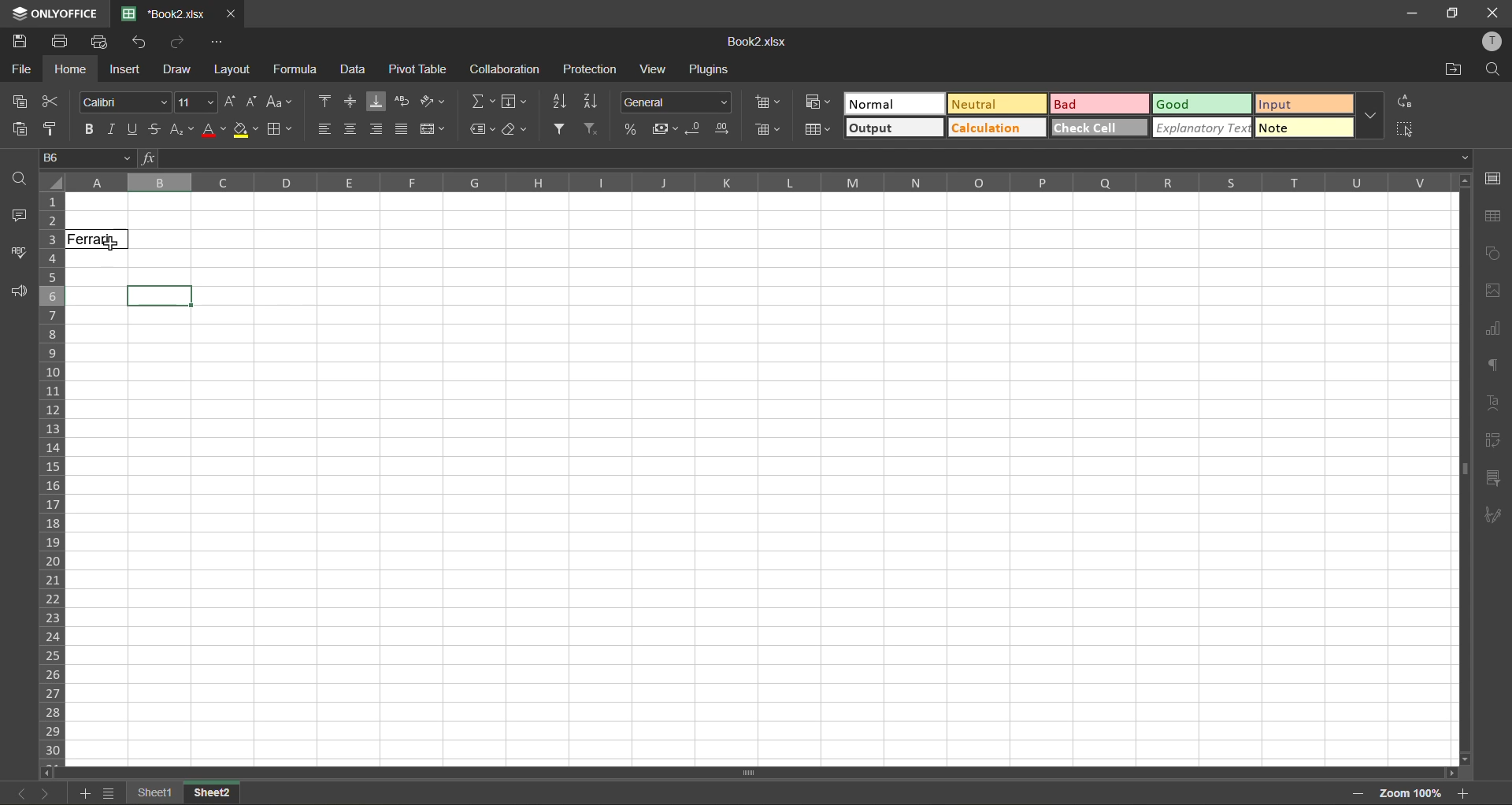 This screenshot has width=1512, height=805. I want to click on scroll right, so click(1449, 773).